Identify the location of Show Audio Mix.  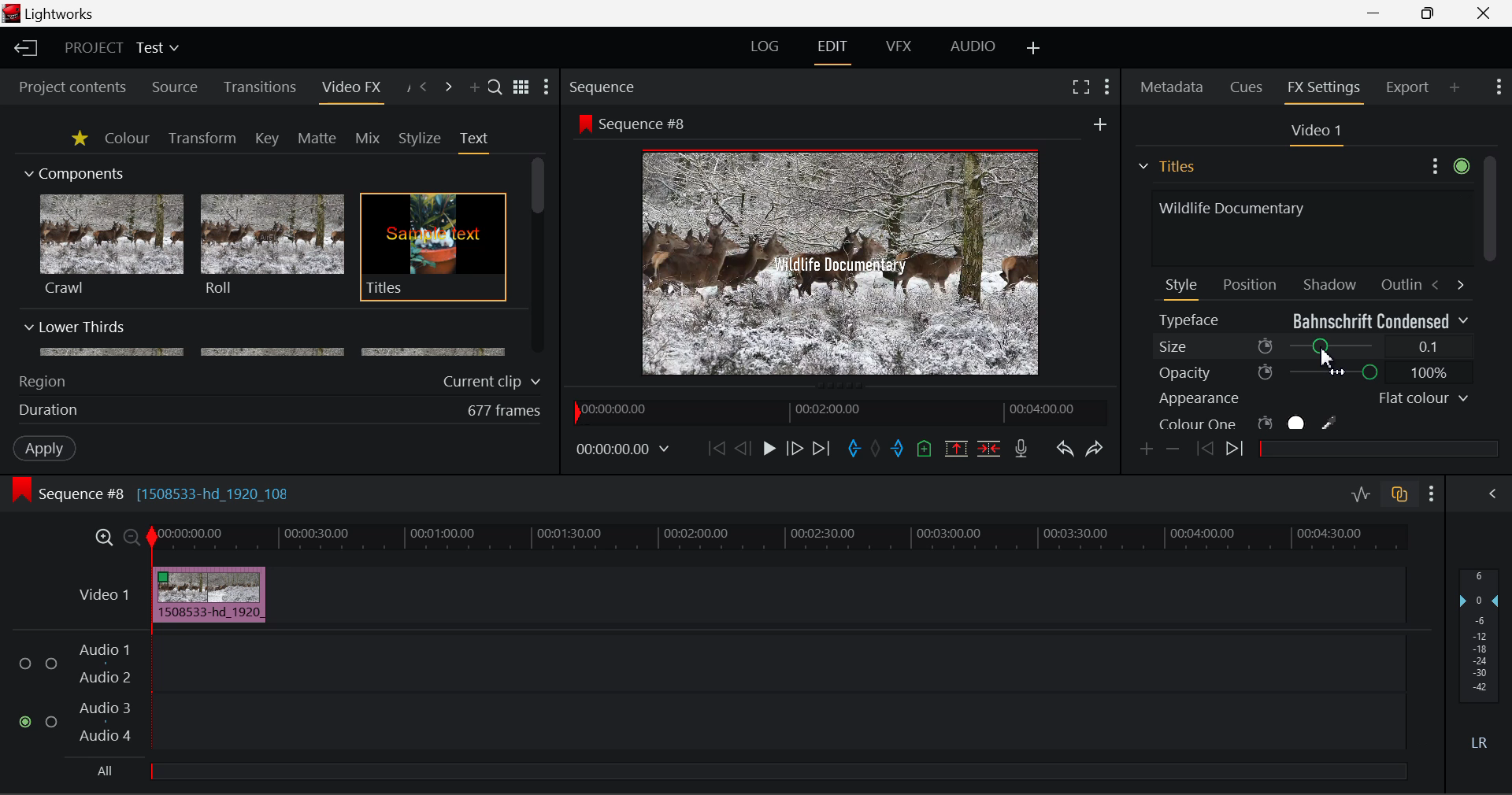
(1490, 494).